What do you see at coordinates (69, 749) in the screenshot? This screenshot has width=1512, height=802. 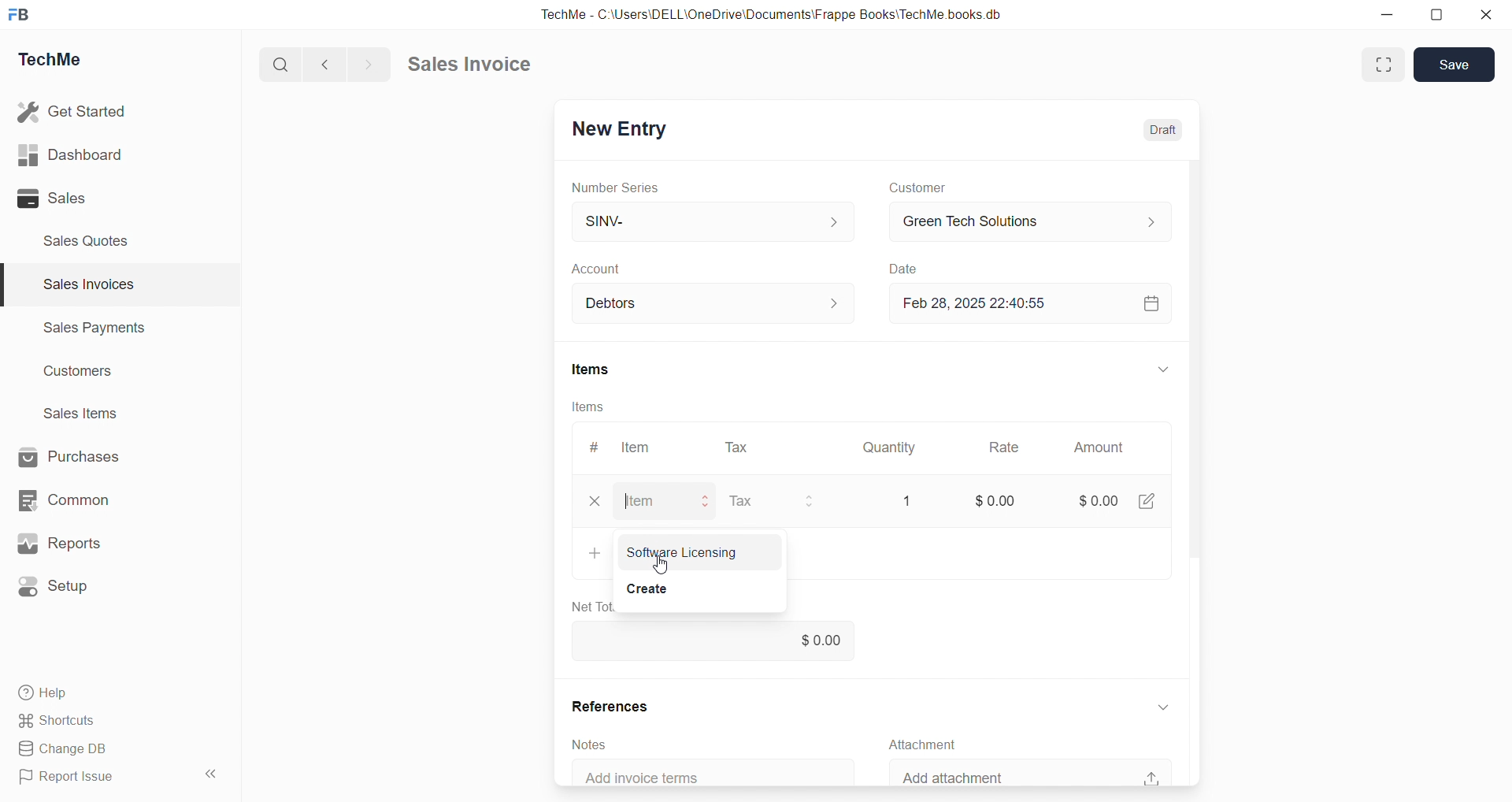 I see `Change DB` at bounding box center [69, 749].